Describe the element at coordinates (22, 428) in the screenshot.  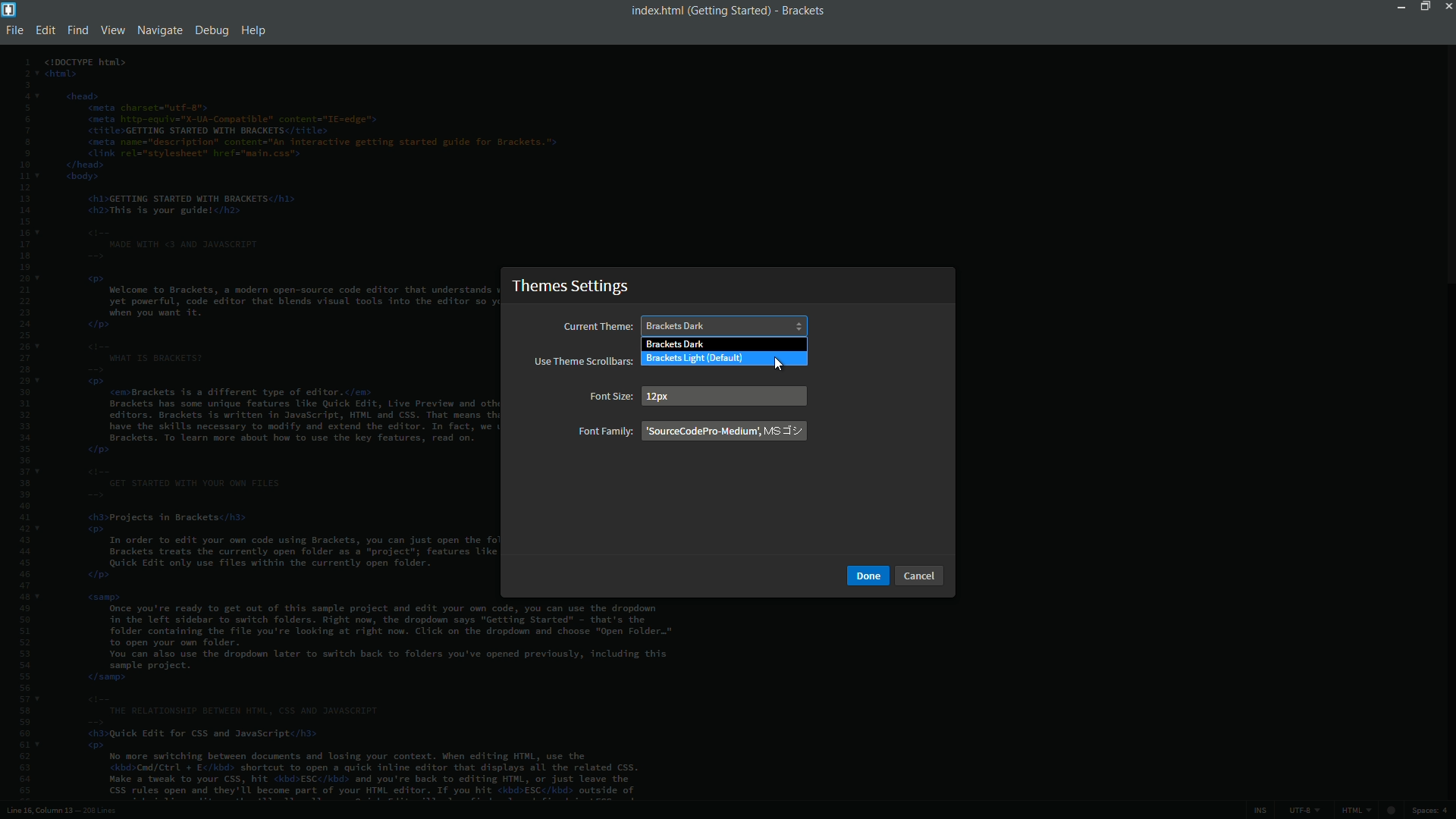
I see `line numbers` at that location.